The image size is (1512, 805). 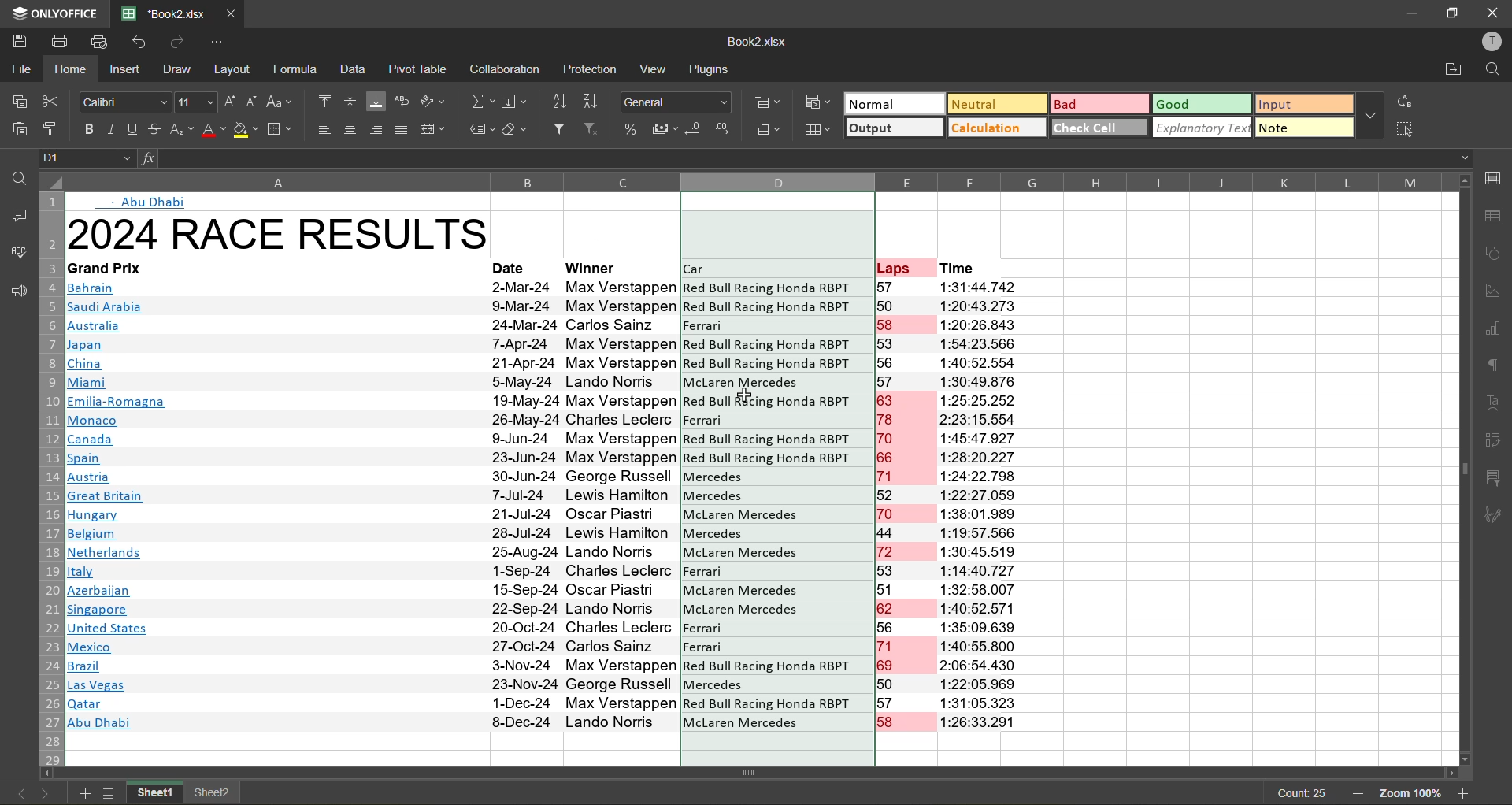 What do you see at coordinates (893, 269) in the screenshot?
I see `Laps` at bounding box center [893, 269].